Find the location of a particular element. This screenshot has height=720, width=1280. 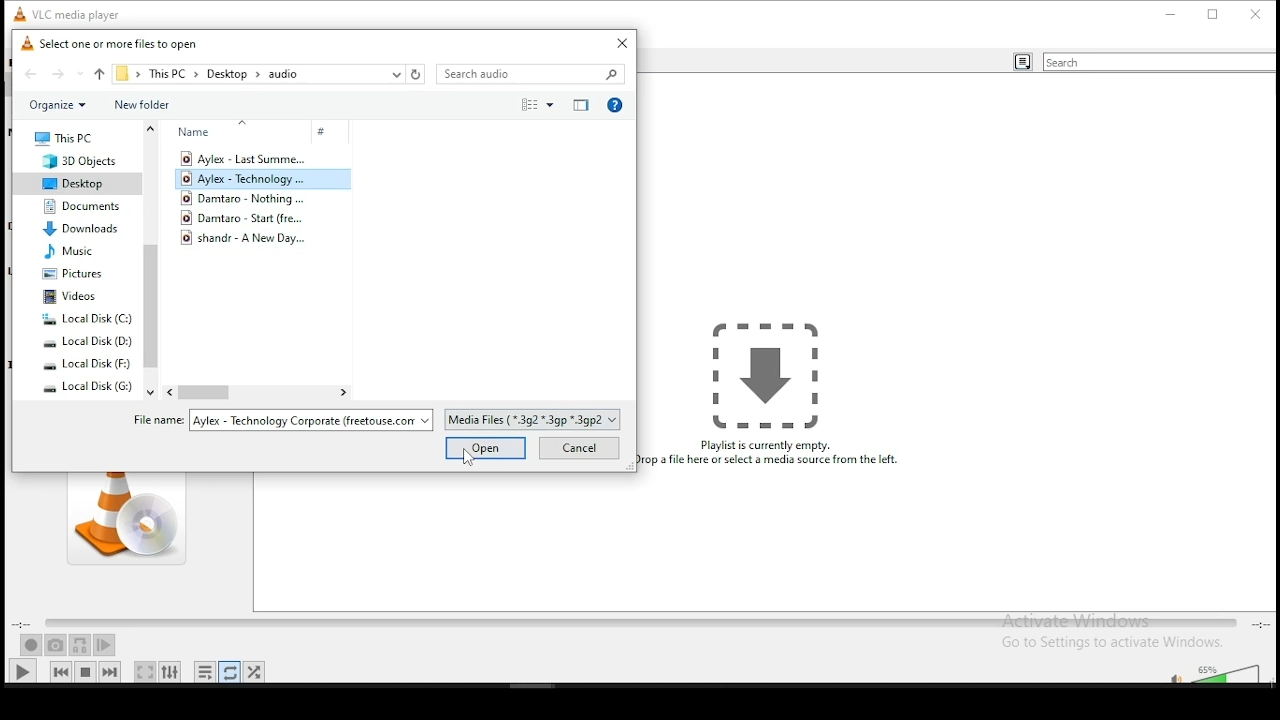

system drive 3 is located at coordinates (86, 364).